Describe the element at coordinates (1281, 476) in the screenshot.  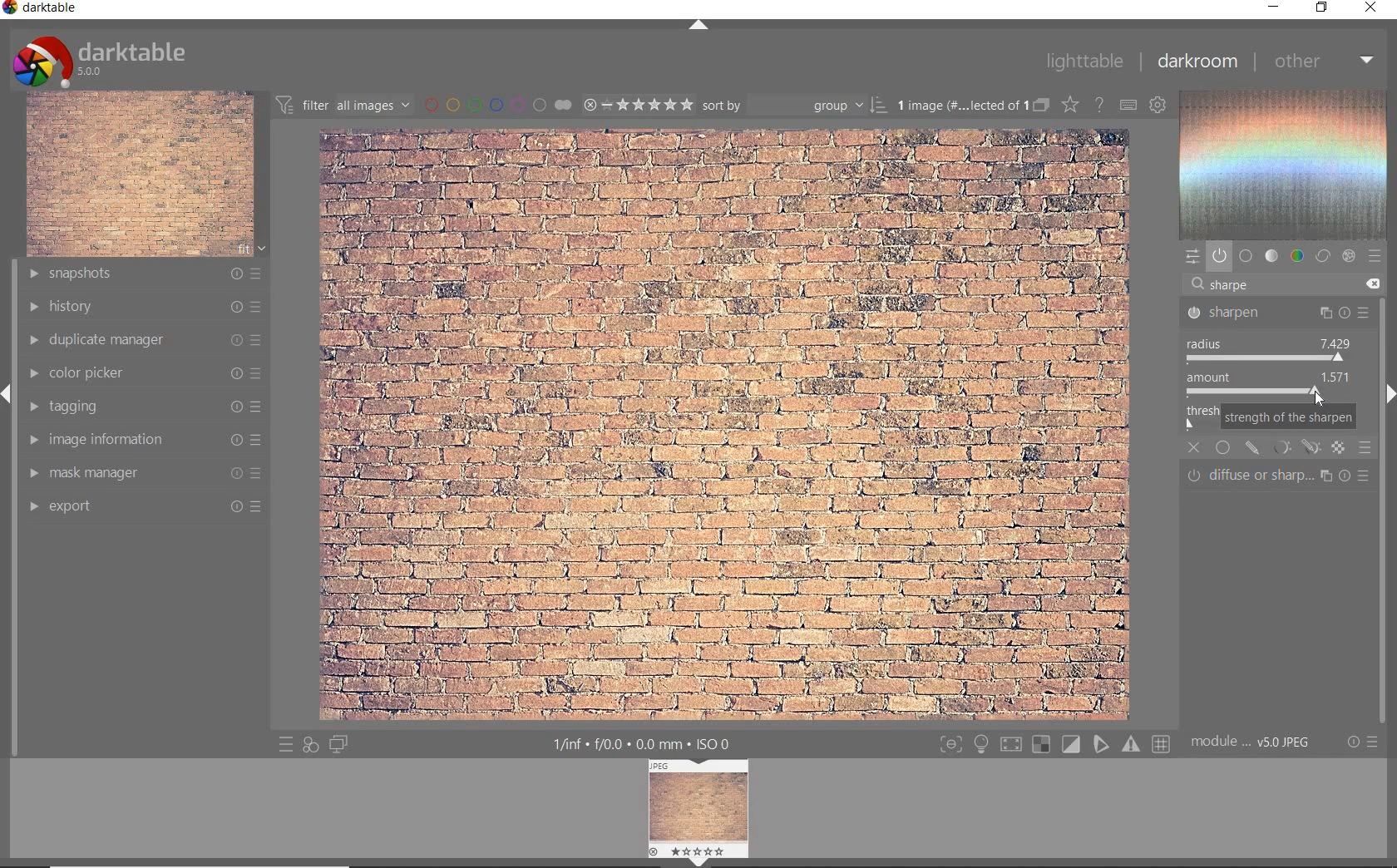
I see `DIFFUSE OR SHARPENNING` at that location.